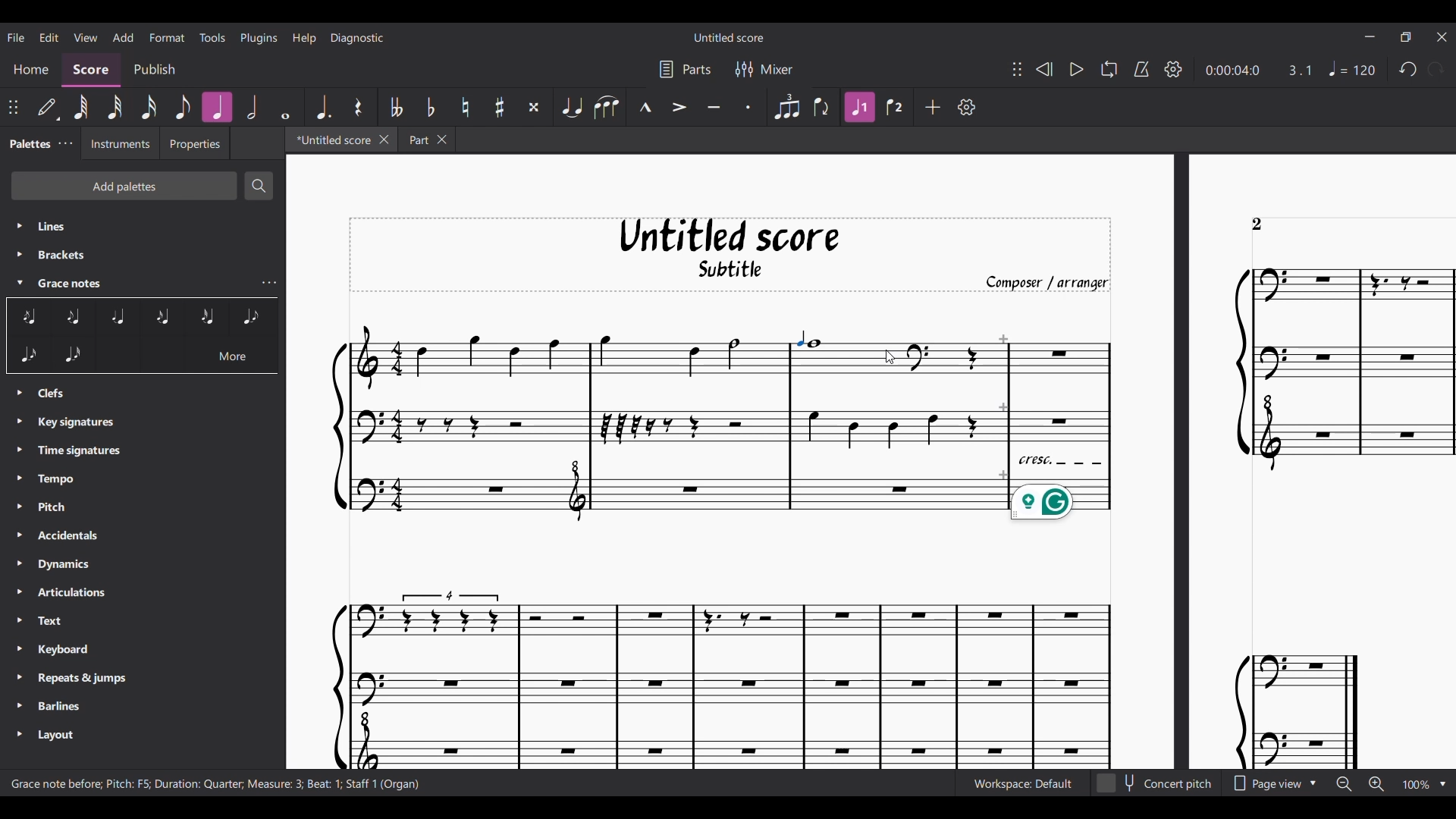 Image resolution: width=1456 pixels, height=819 pixels. I want to click on Score title, sub-title, and composer name, so click(730, 255).